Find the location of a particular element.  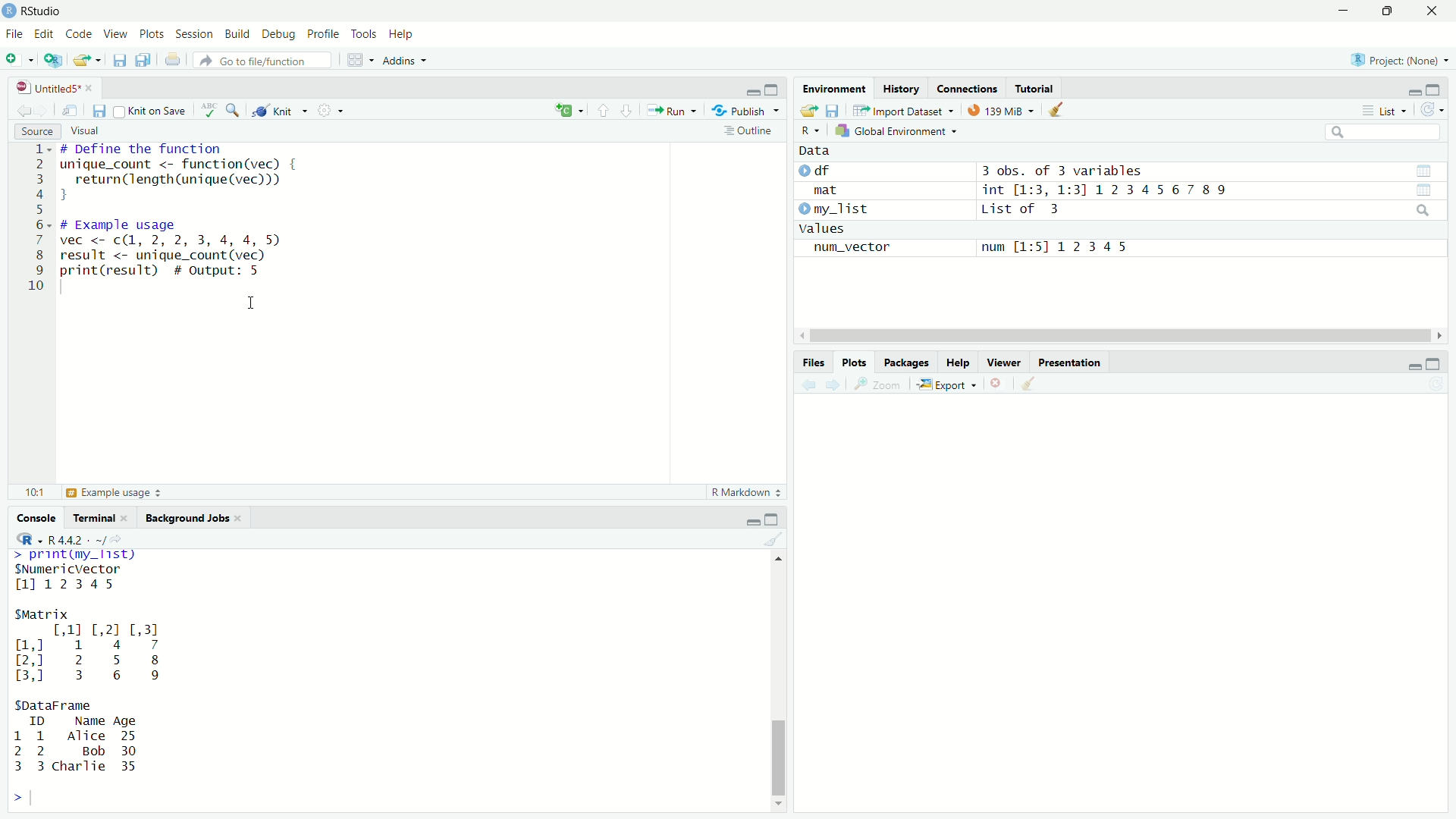

save is located at coordinates (834, 110).